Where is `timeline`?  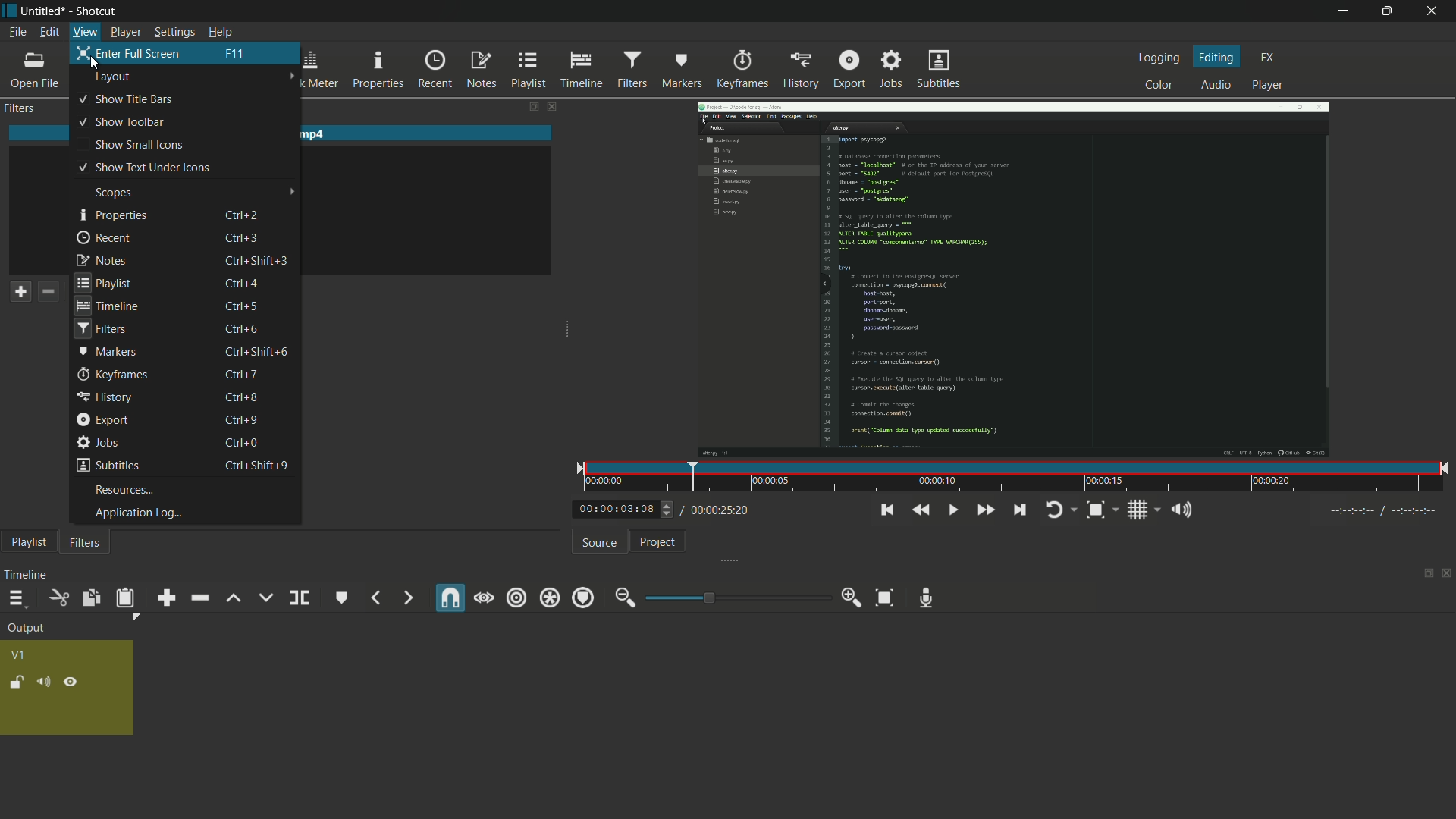 timeline is located at coordinates (105, 306).